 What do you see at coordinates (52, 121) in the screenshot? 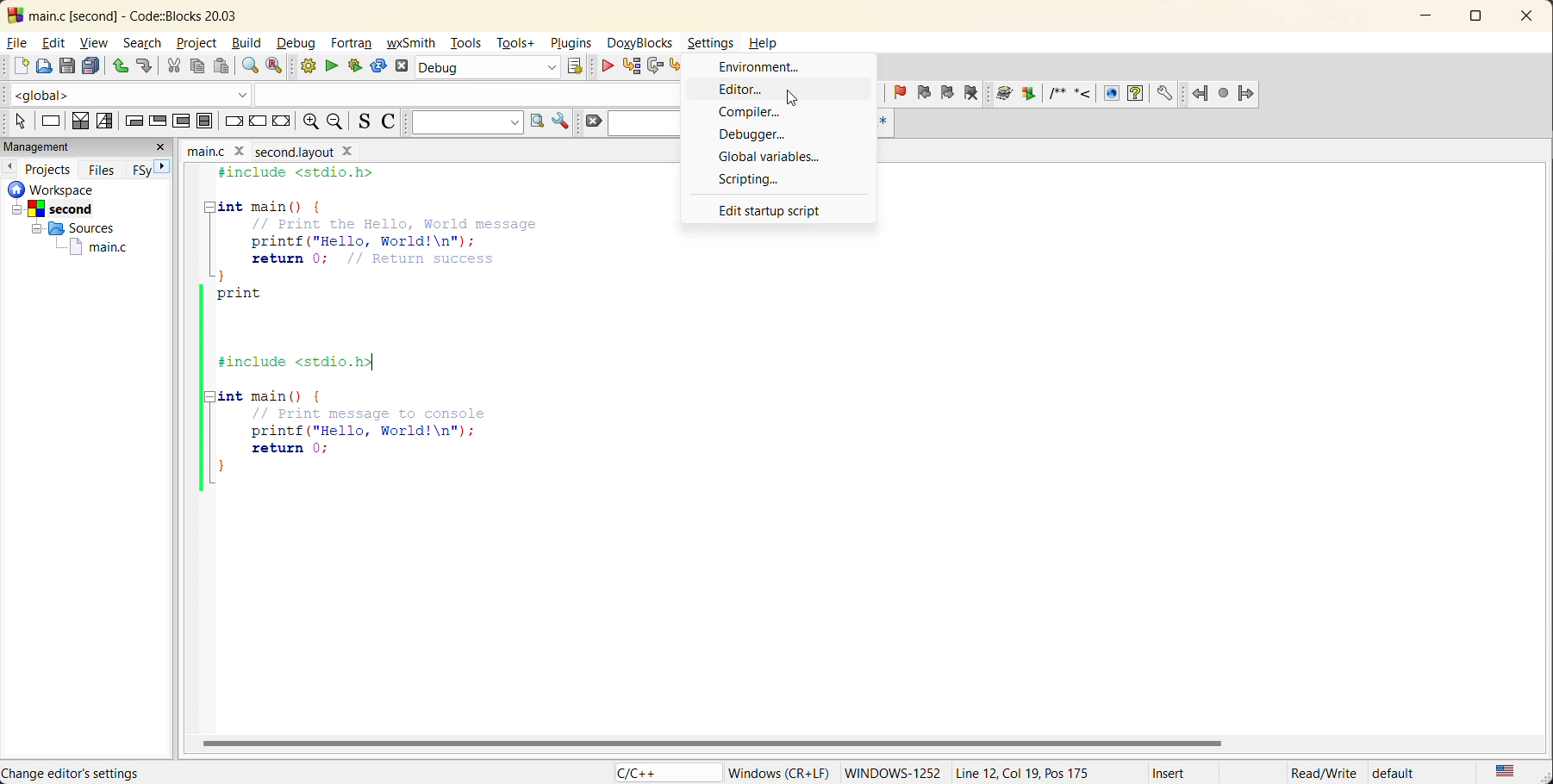
I see `instruction ` at bounding box center [52, 121].